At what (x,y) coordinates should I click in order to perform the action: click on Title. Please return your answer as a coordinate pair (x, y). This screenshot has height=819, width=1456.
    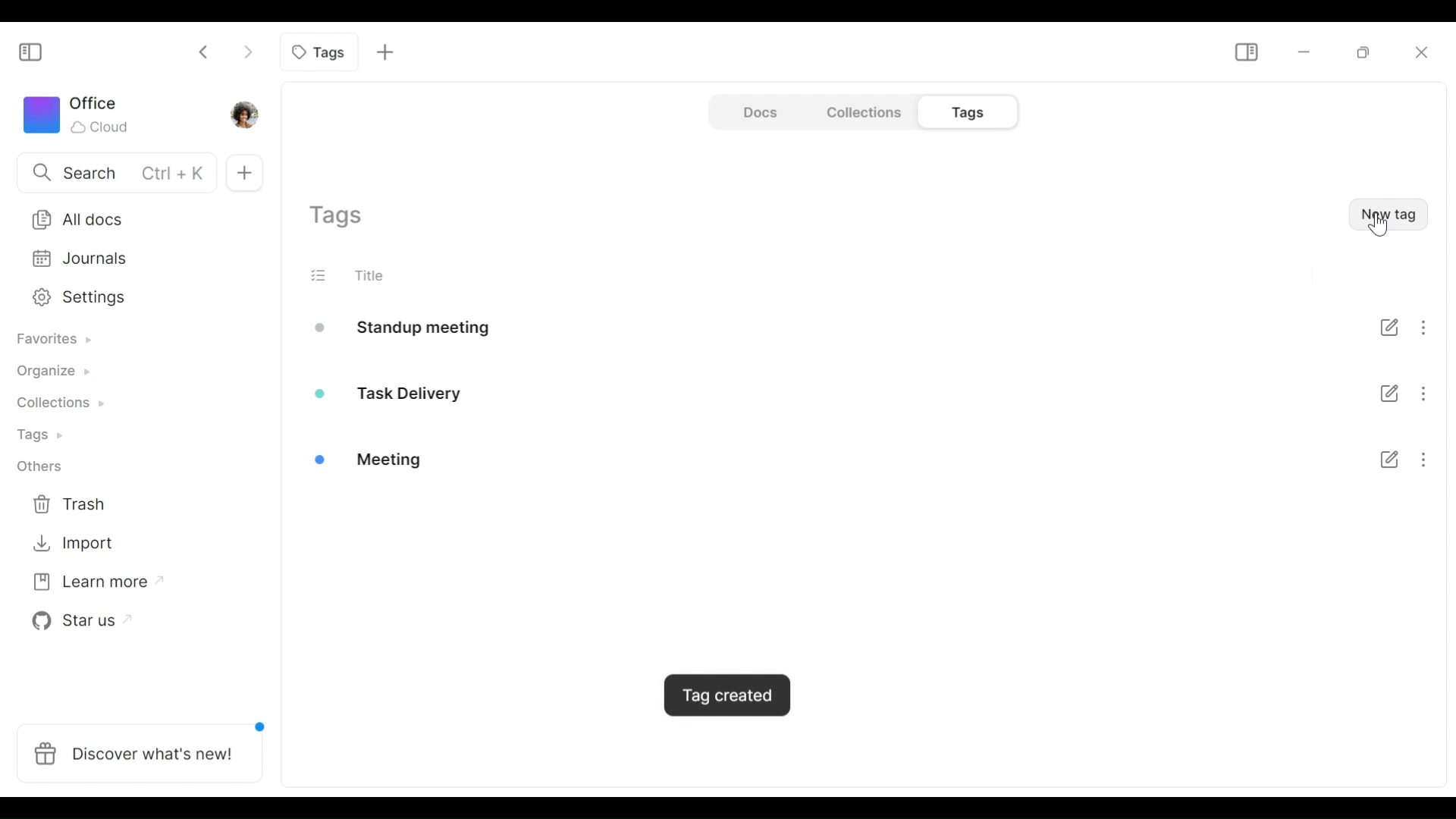
    Looking at the image, I should click on (380, 275).